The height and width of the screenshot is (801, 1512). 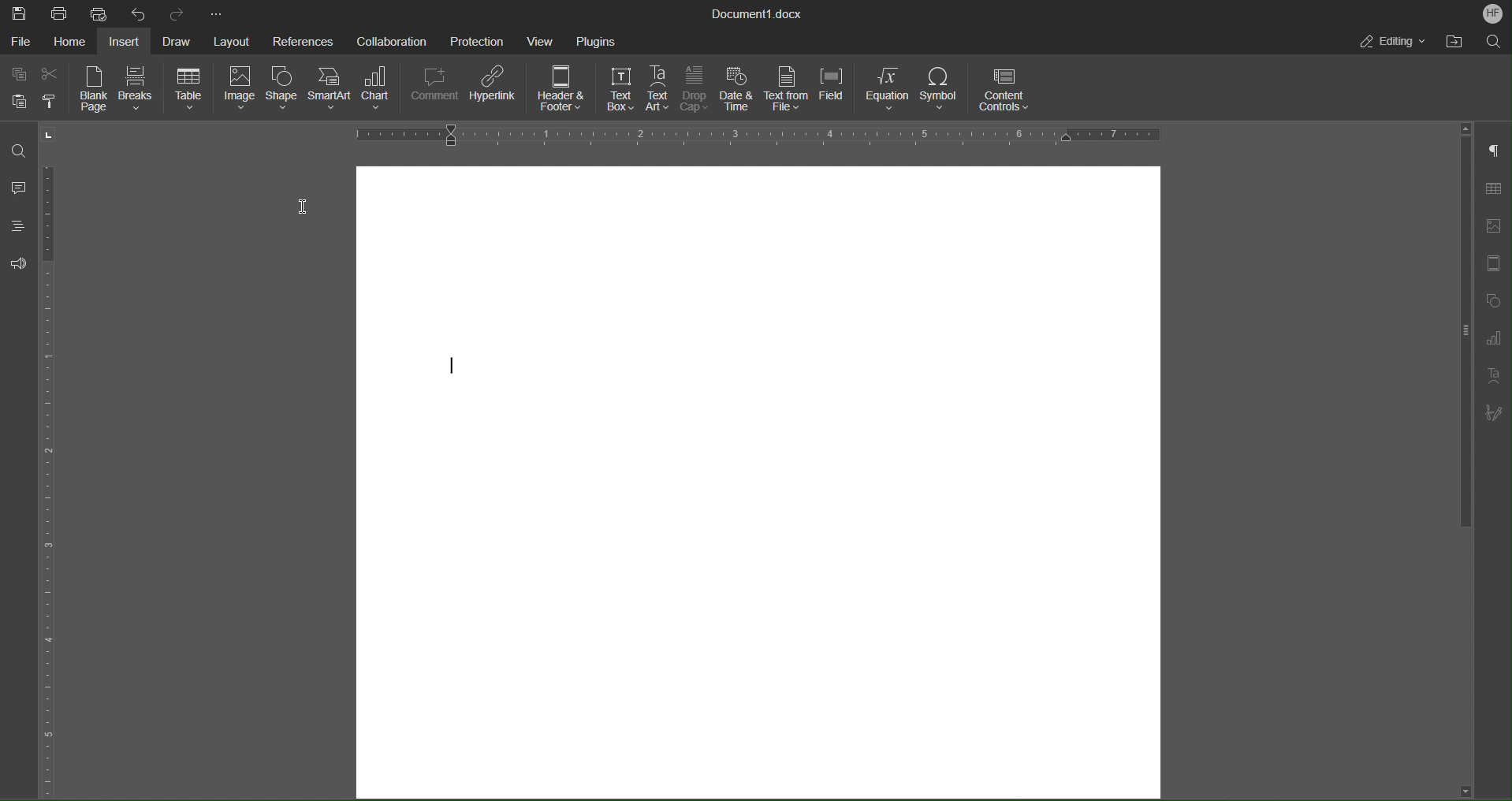 What do you see at coordinates (1492, 190) in the screenshot?
I see `Table` at bounding box center [1492, 190].